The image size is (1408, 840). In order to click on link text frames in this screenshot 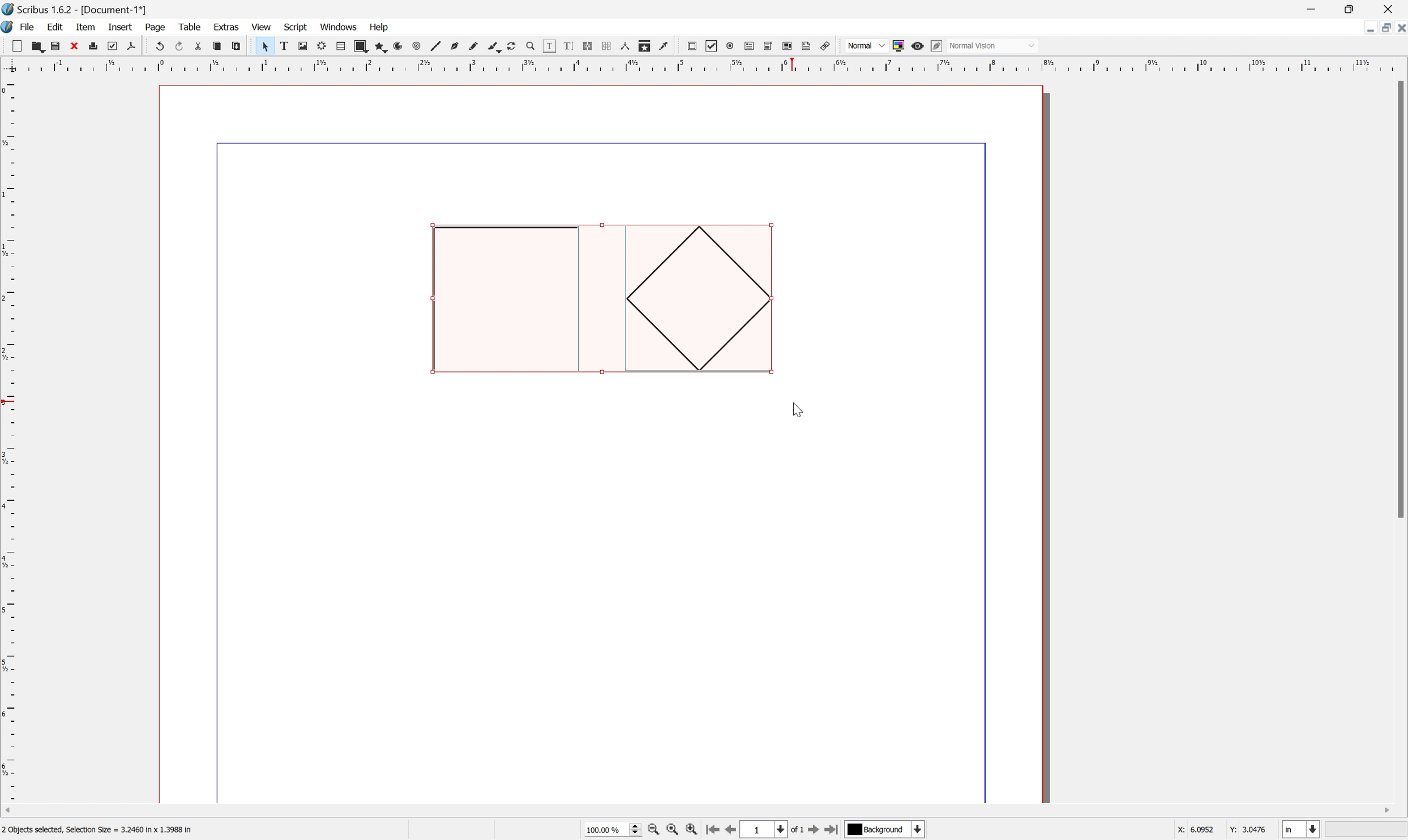, I will do `click(587, 46)`.